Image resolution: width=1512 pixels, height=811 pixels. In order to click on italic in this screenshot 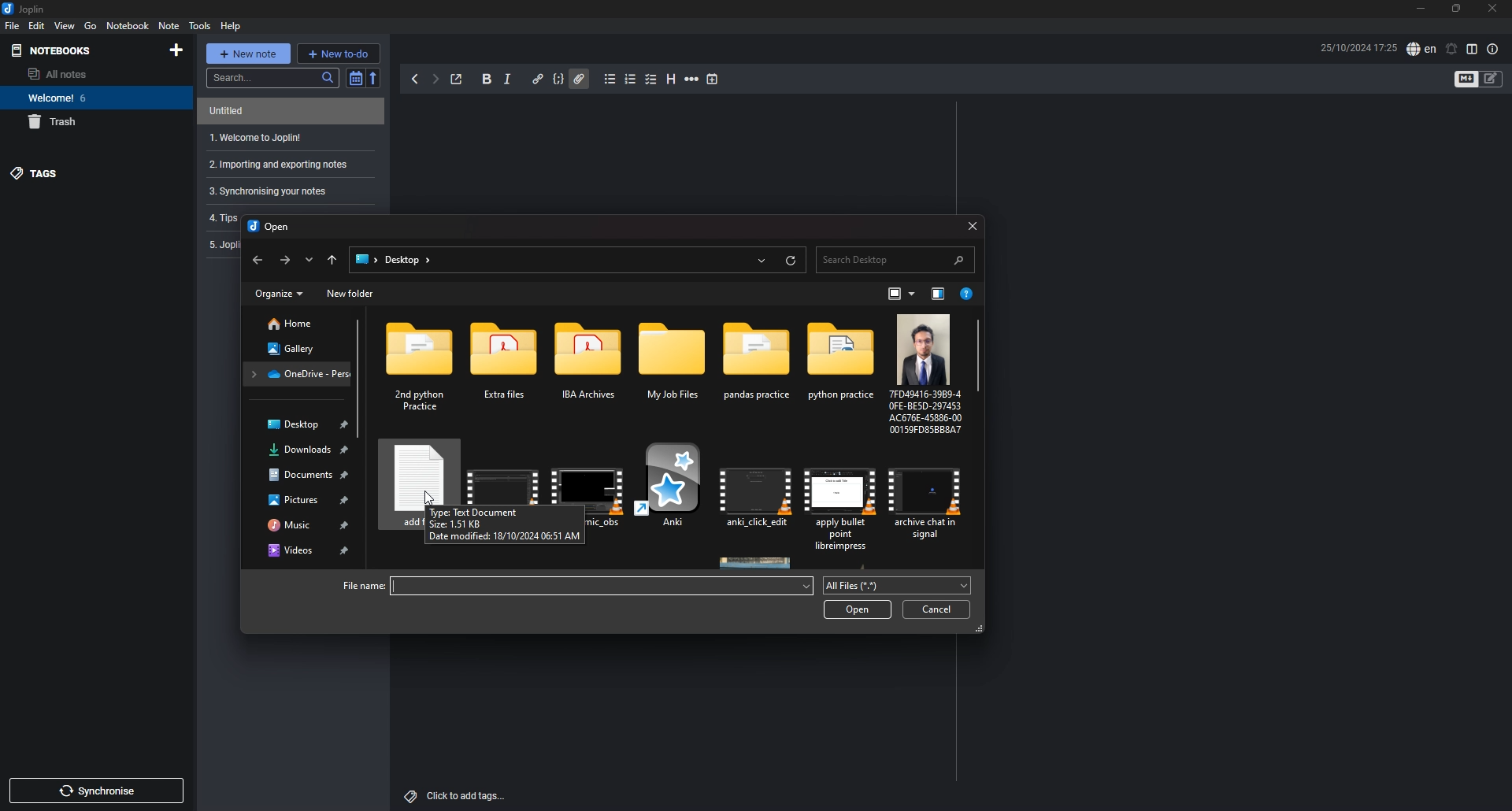, I will do `click(507, 80)`.